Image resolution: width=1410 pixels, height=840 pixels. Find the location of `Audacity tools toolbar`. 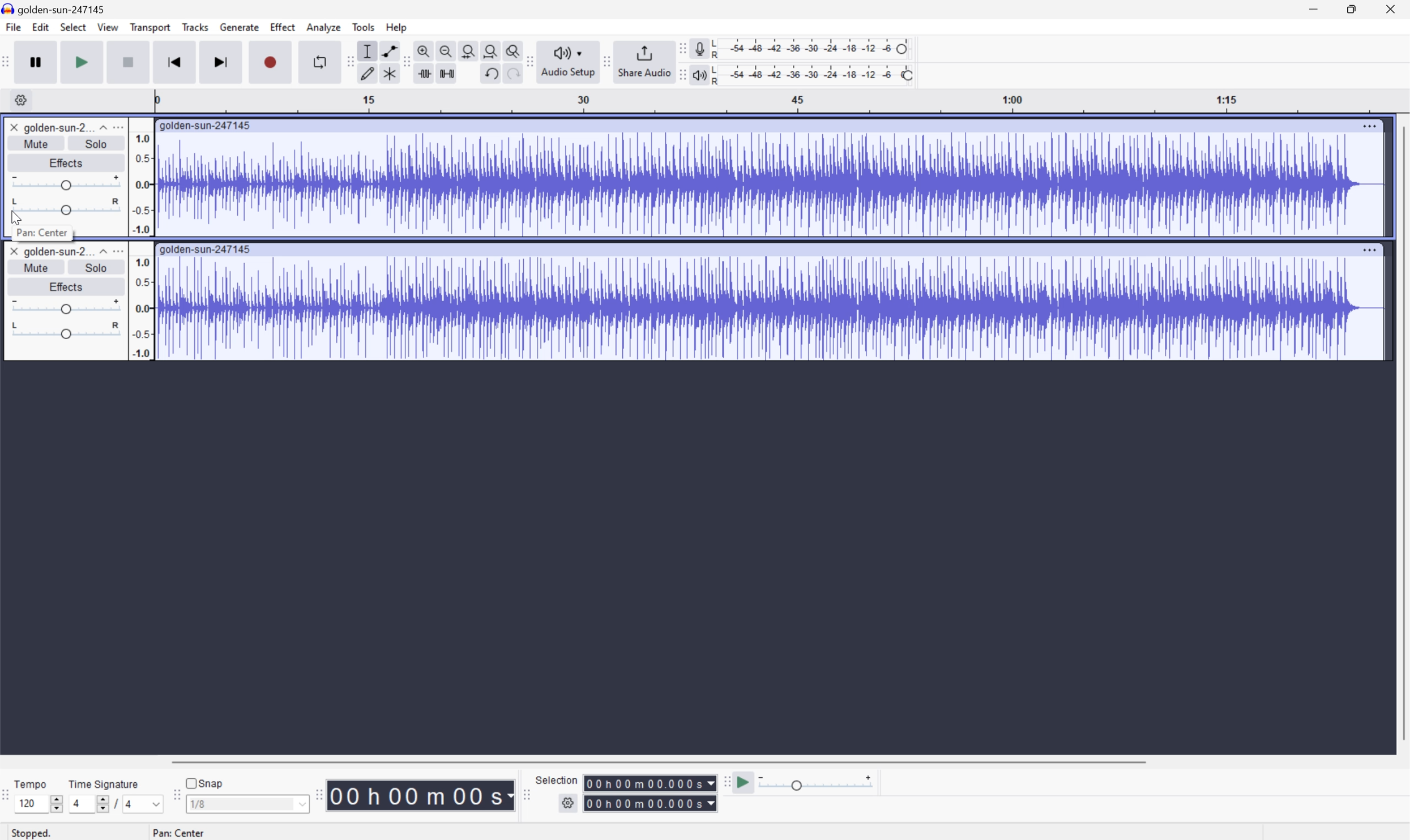

Audacity tools toolbar is located at coordinates (350, 61).